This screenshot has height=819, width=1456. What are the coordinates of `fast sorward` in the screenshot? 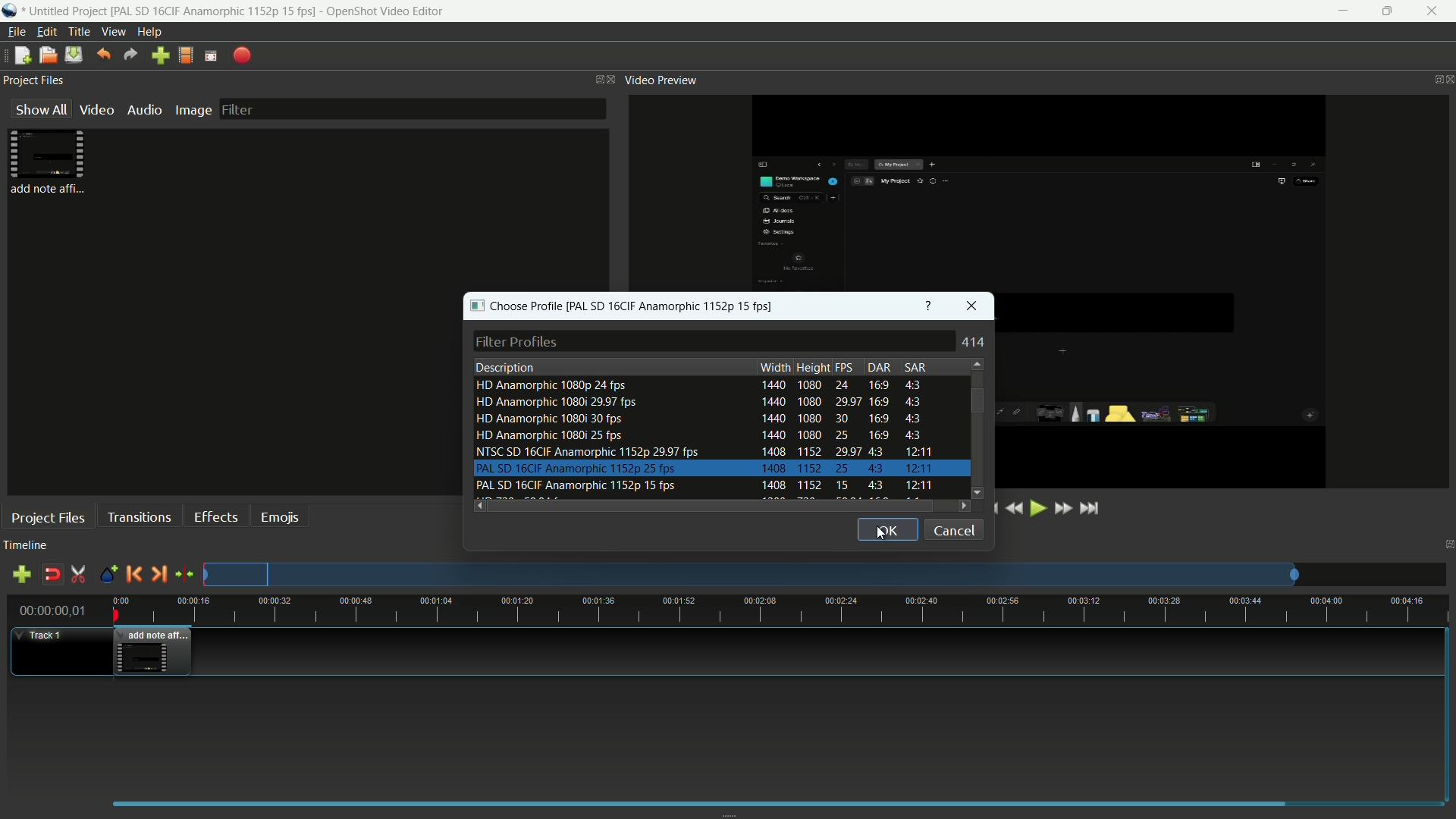 It's located at (1062, 510).